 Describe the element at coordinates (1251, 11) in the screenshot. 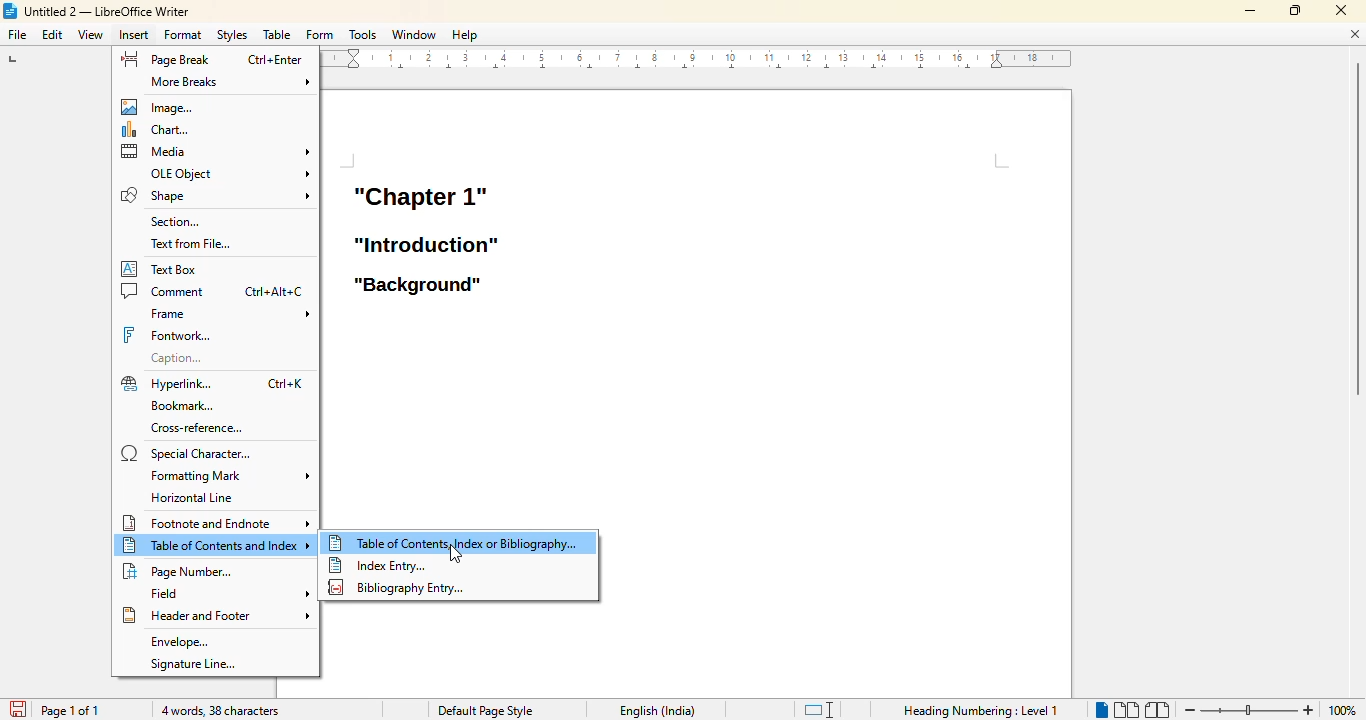

I see `minimize` at that location.